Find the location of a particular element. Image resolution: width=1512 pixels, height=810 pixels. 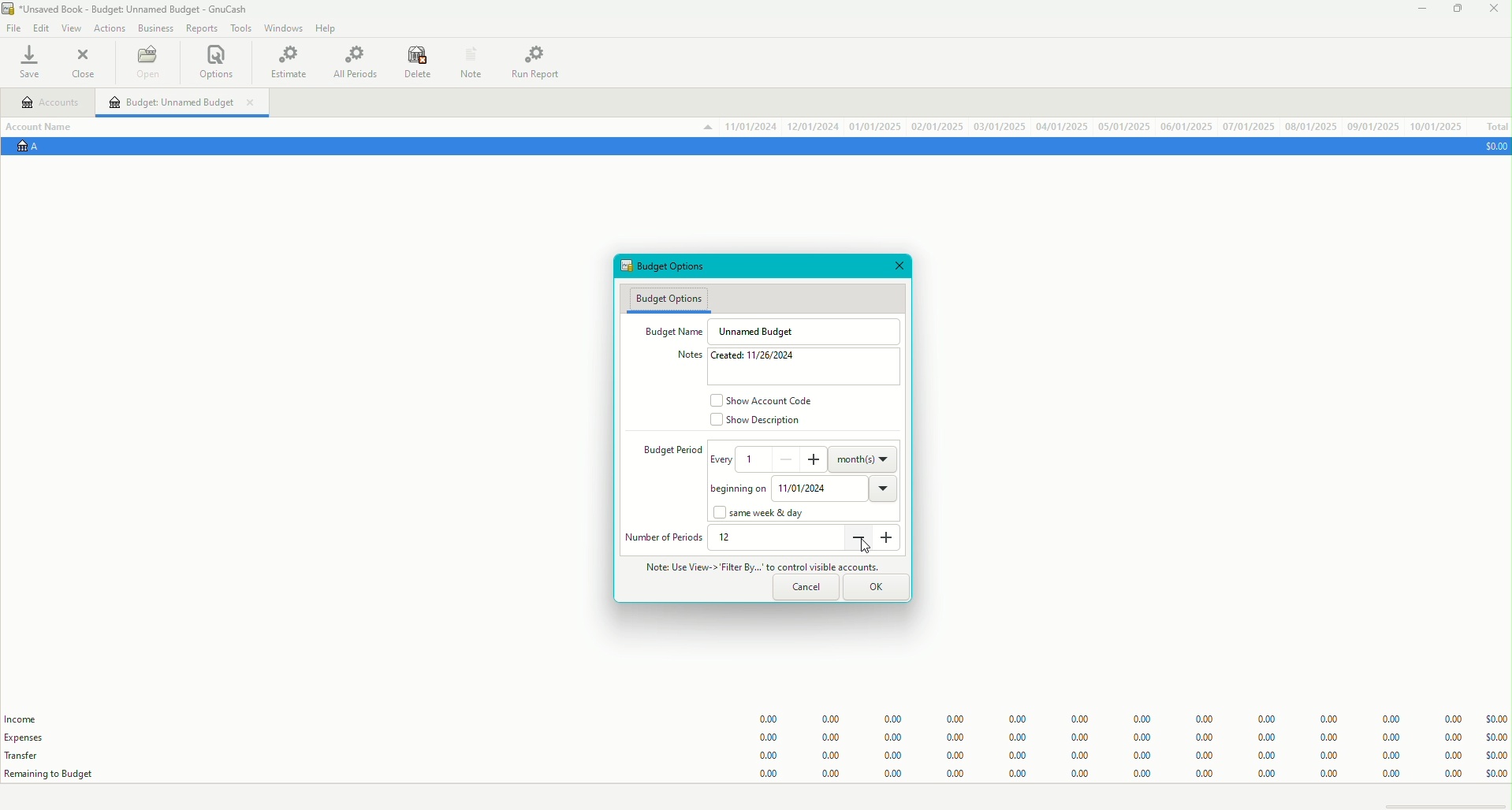

View is located at coordinates (70, 29).